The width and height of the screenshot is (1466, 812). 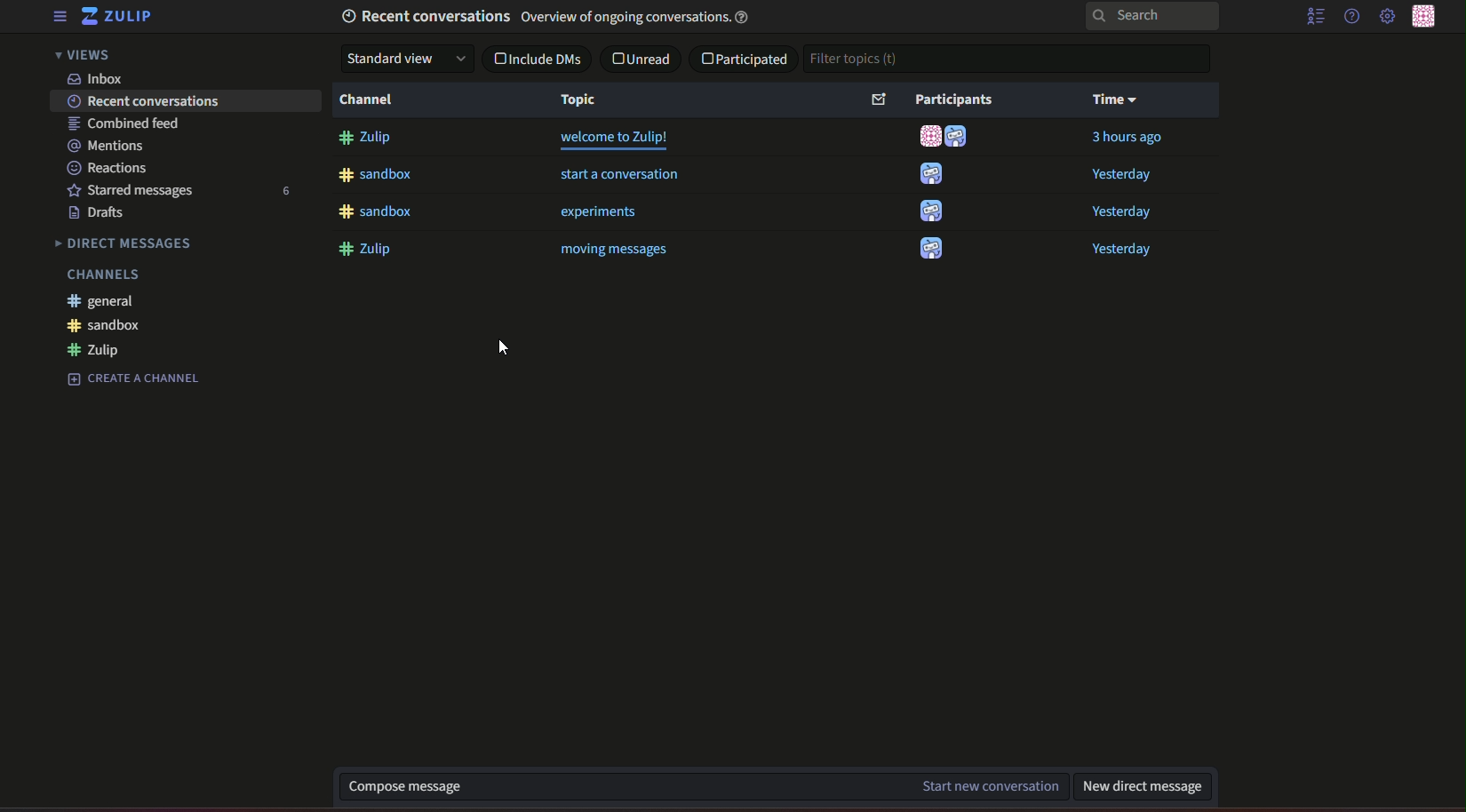 I want to click on #sandbox, so click(x=379, y=177).